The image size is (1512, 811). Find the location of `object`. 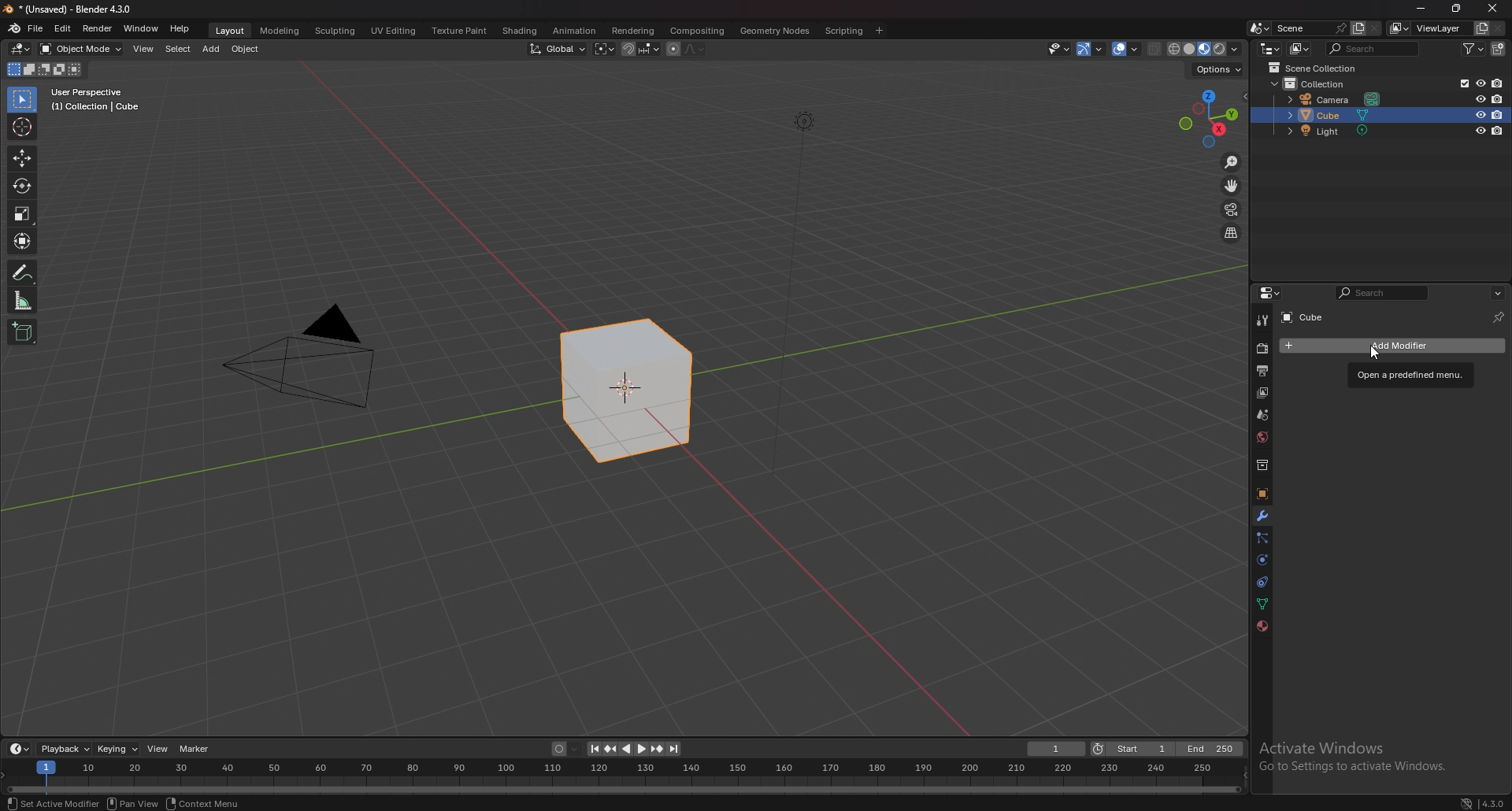

object is located at coordinates (246, 49).